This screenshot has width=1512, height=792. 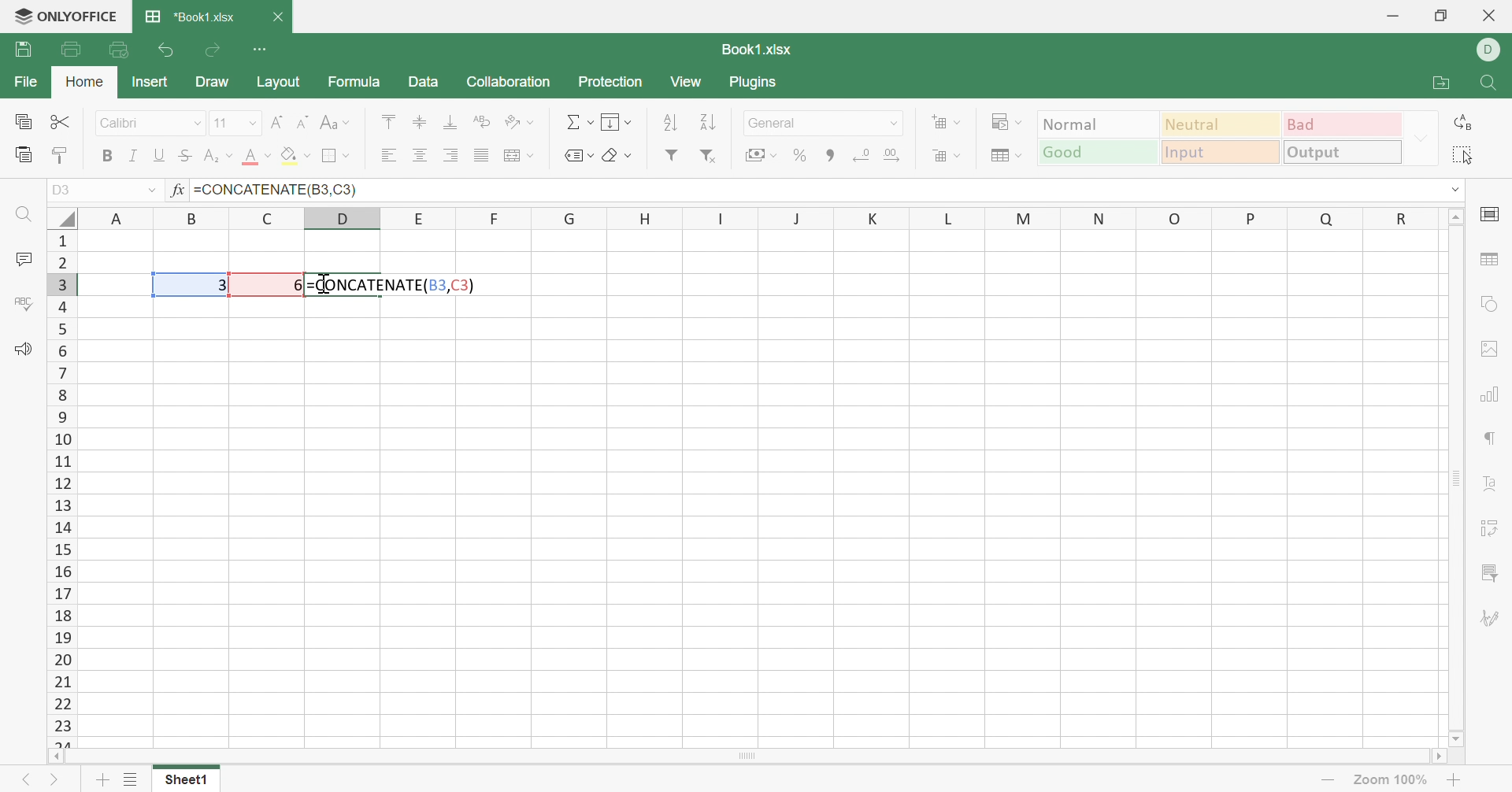 I want to click on Select all, so click(x=1463, y=154).